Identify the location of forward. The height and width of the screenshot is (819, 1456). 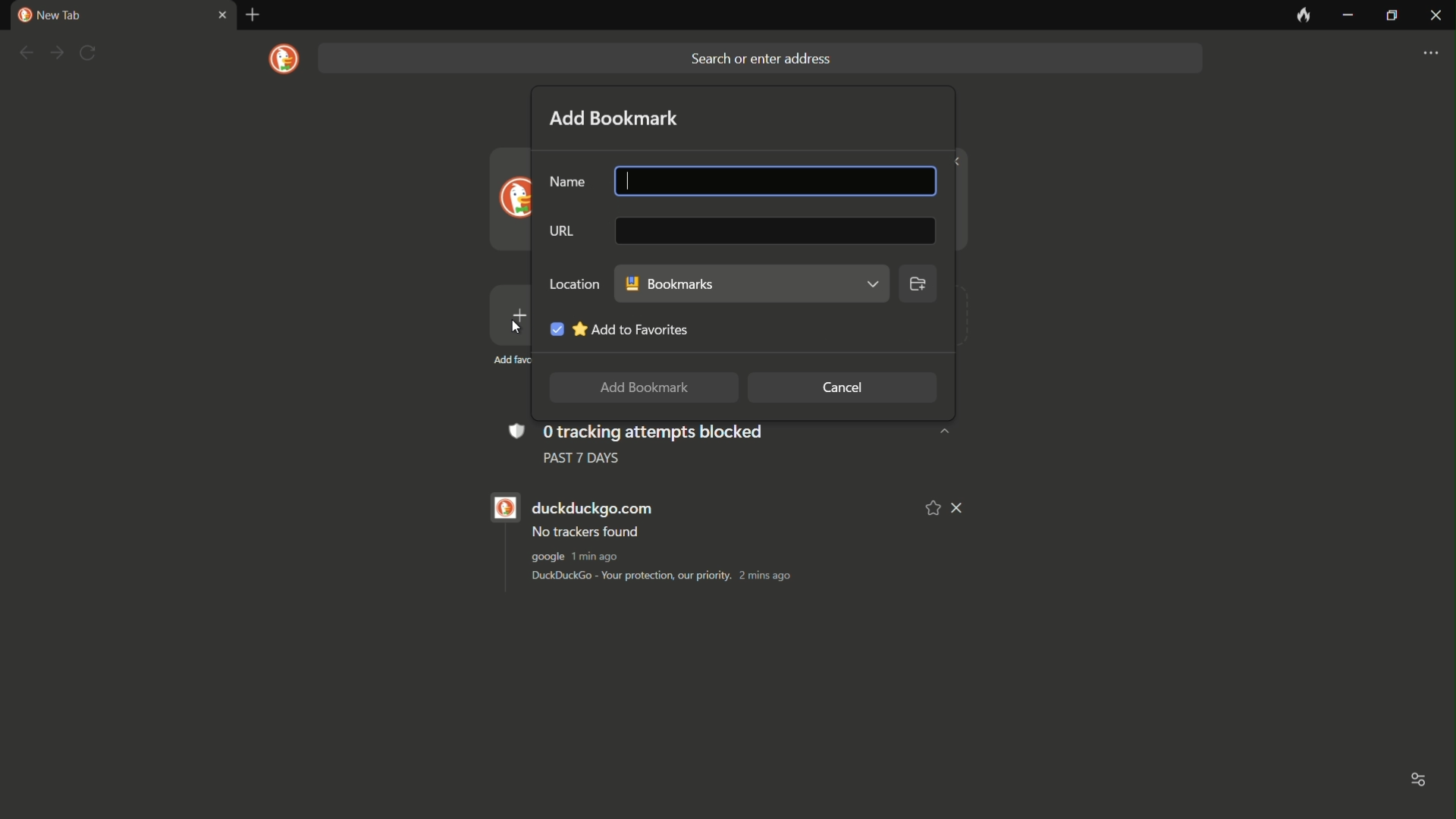
(56, 54).